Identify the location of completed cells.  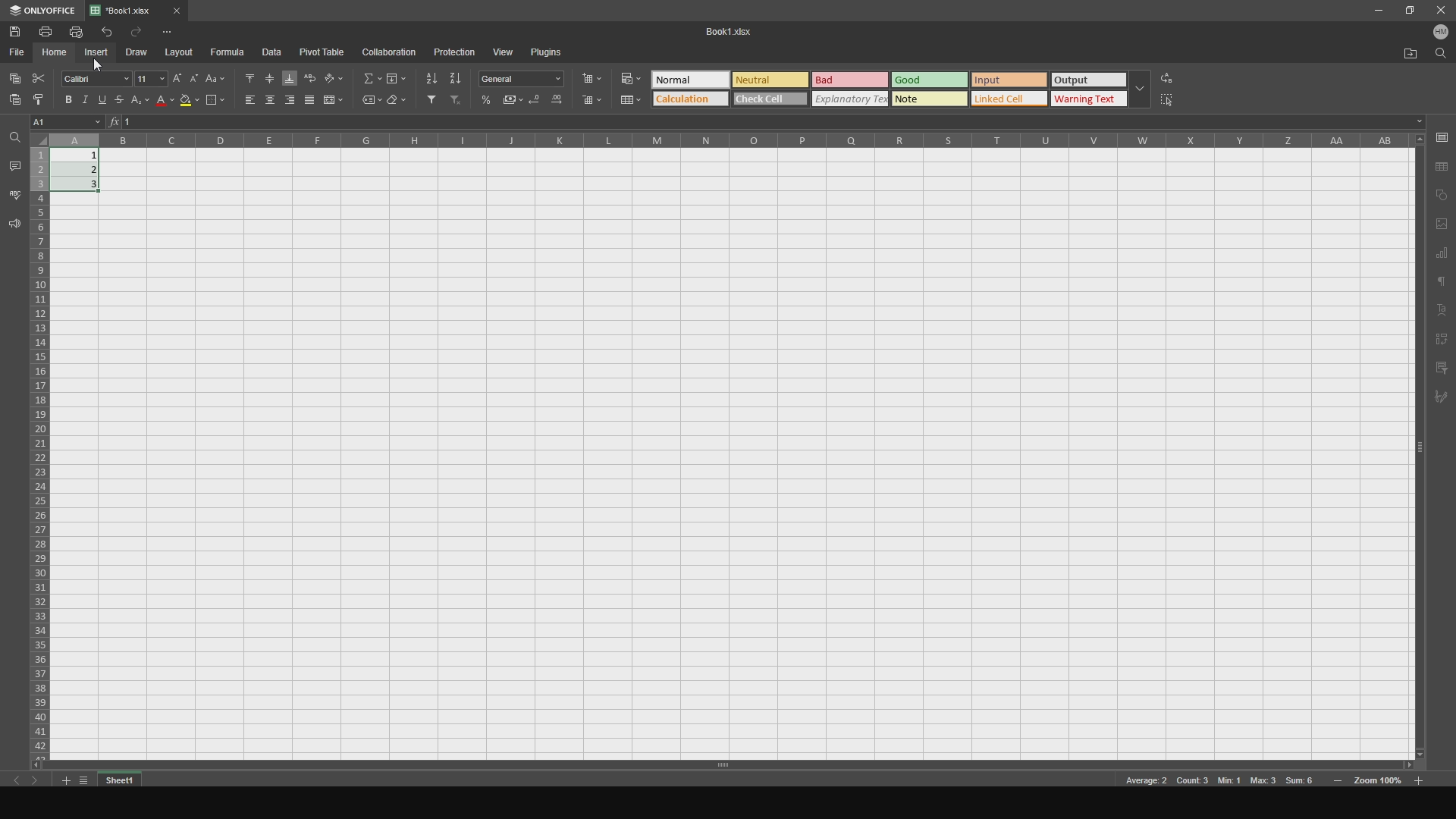
(81, 169).